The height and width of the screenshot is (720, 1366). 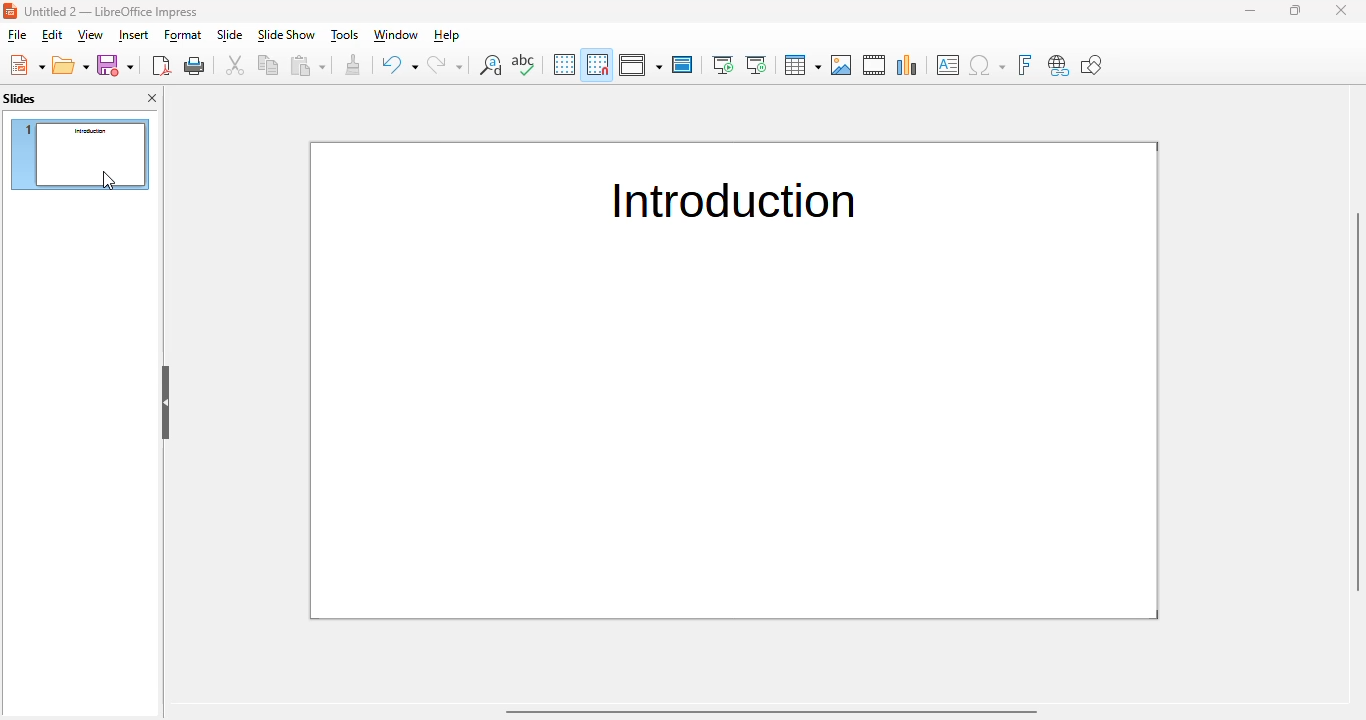 What do you see at coordinates (343, 35) in the screenshot?
I see `tools` at bounding box center [343, 35].